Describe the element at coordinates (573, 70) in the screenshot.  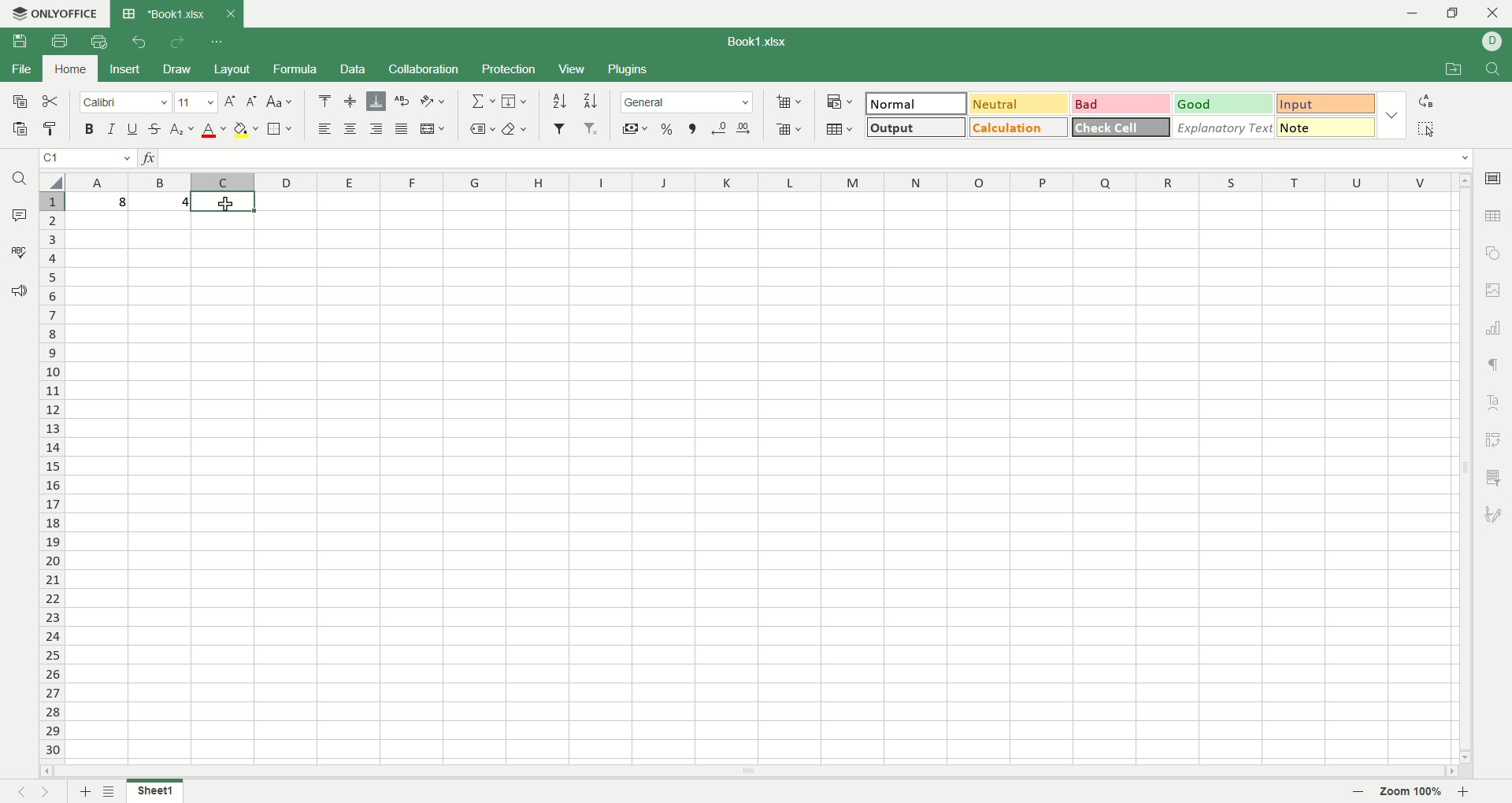
I see `view` at that location.